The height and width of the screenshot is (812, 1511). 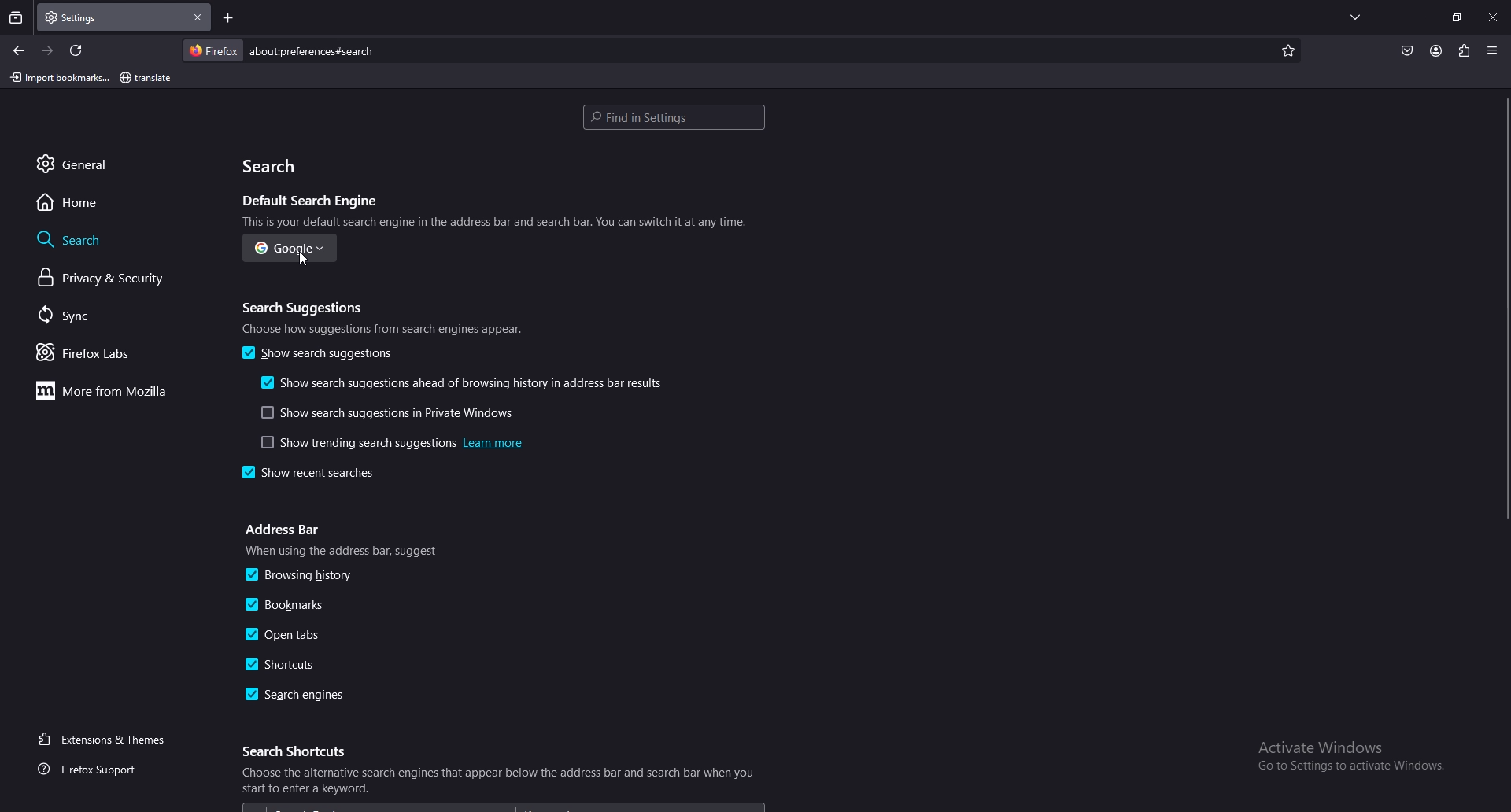 I want to click on tab, so click(x=104, y=18).